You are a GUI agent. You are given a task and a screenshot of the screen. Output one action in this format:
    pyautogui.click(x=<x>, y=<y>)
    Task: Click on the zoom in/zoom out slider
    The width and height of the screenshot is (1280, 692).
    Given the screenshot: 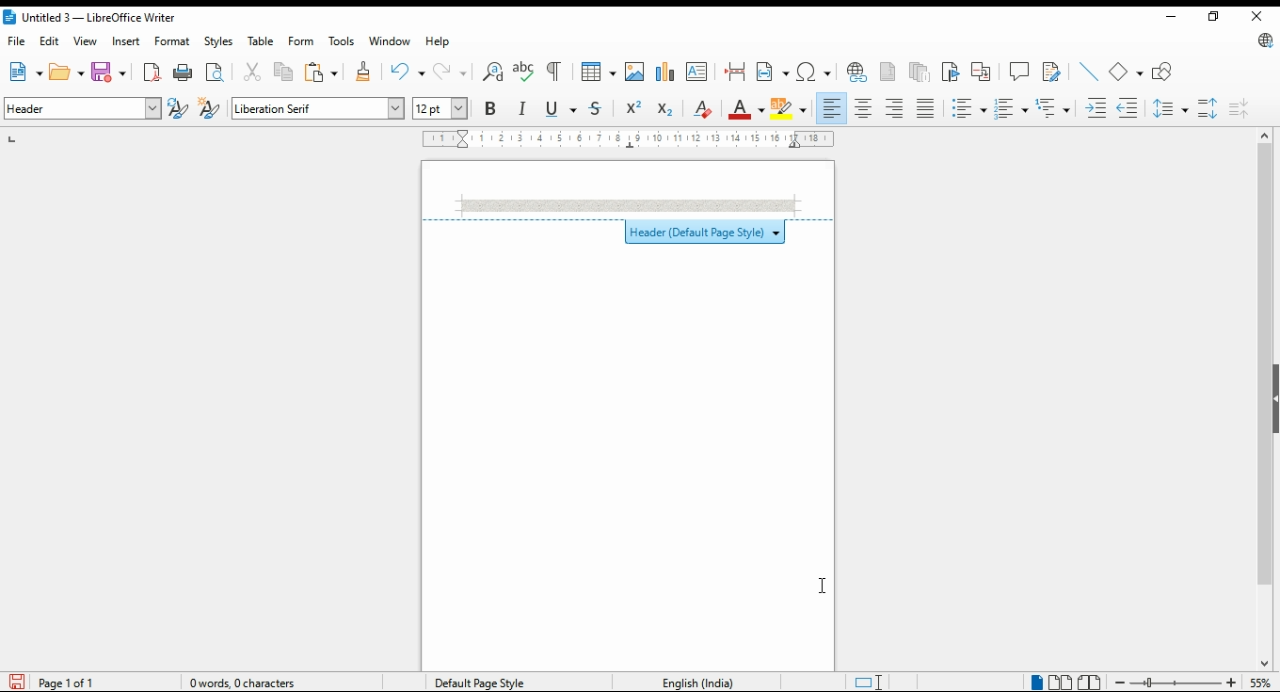 What is the action you would take?
    pyautogui.click(x=1173, y=682)
    